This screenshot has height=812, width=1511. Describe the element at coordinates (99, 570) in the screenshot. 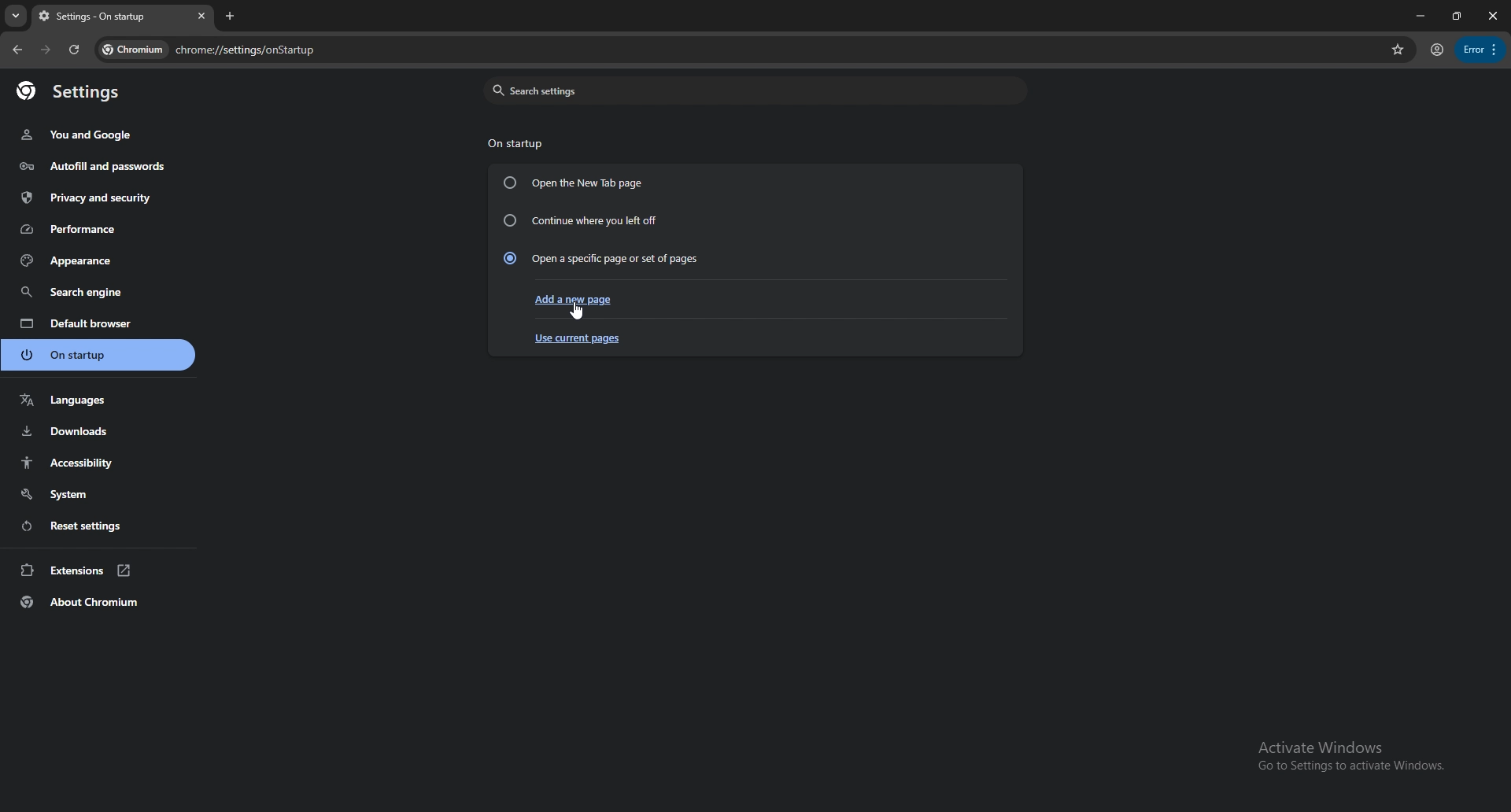

I see `extensions` at that location.